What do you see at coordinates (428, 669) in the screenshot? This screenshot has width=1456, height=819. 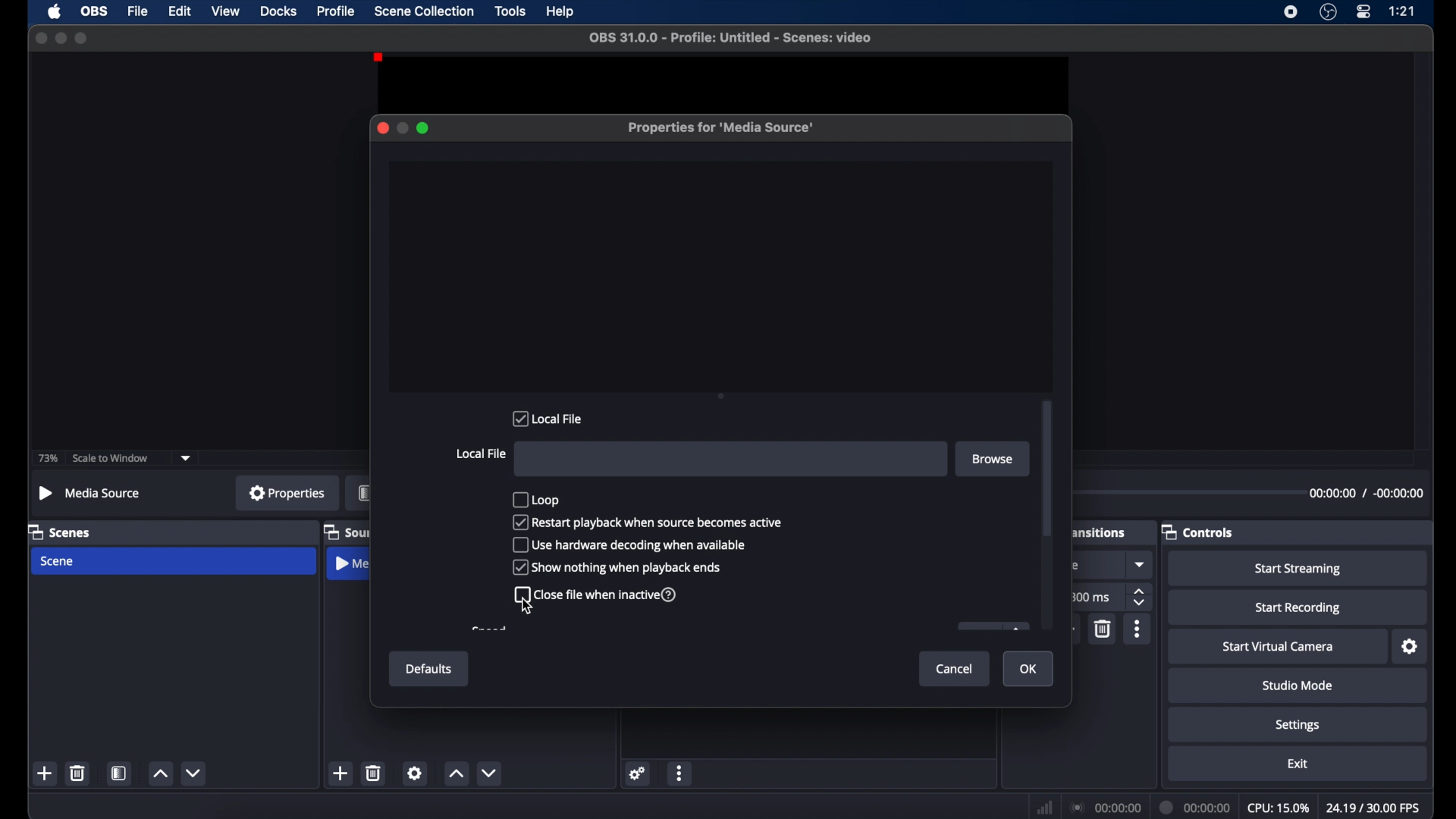 I see `defaults` at bounding box center [428, 669].